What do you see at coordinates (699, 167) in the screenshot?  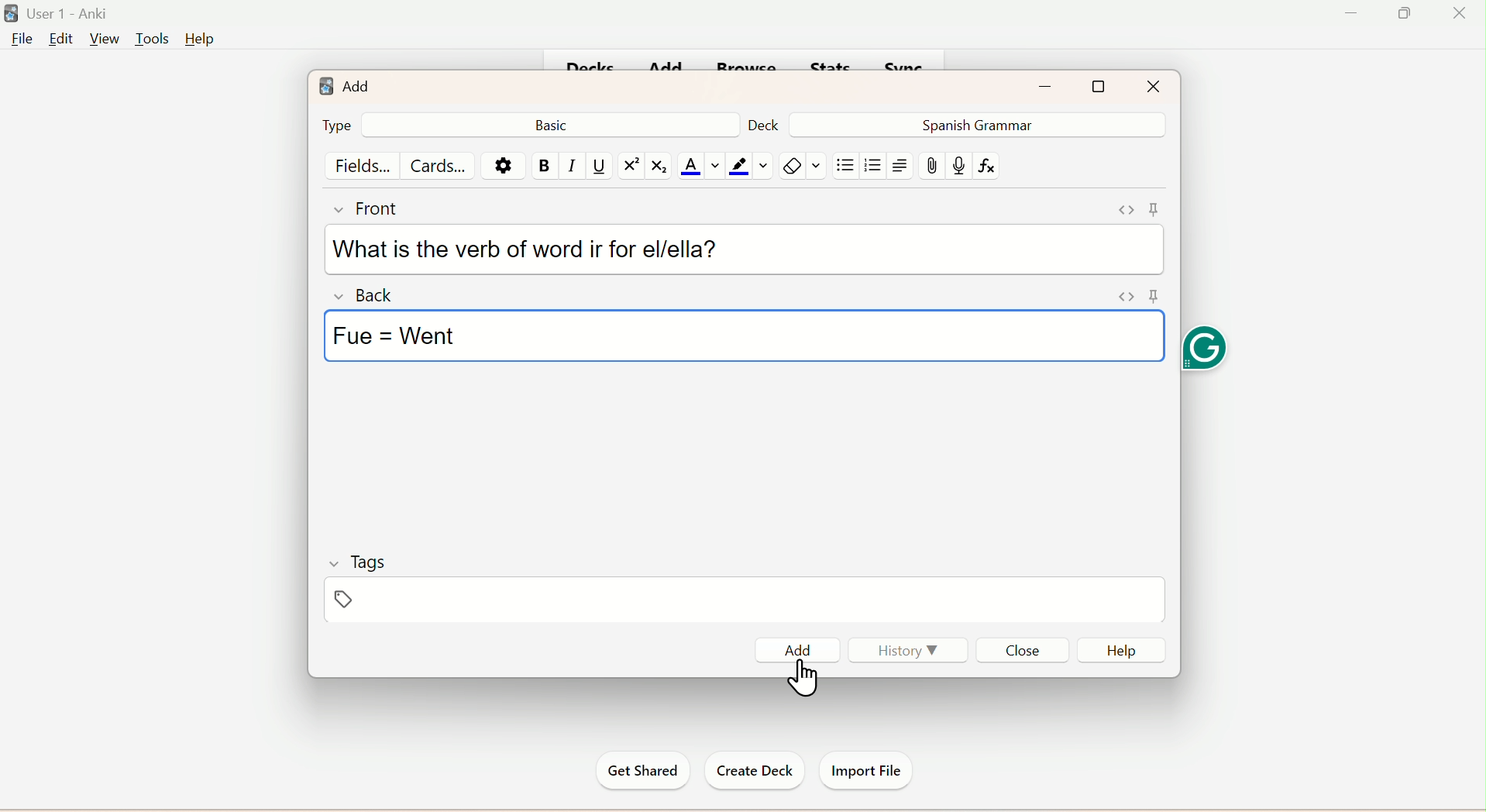 I see `Text Color` at bounding box center [699, 167].